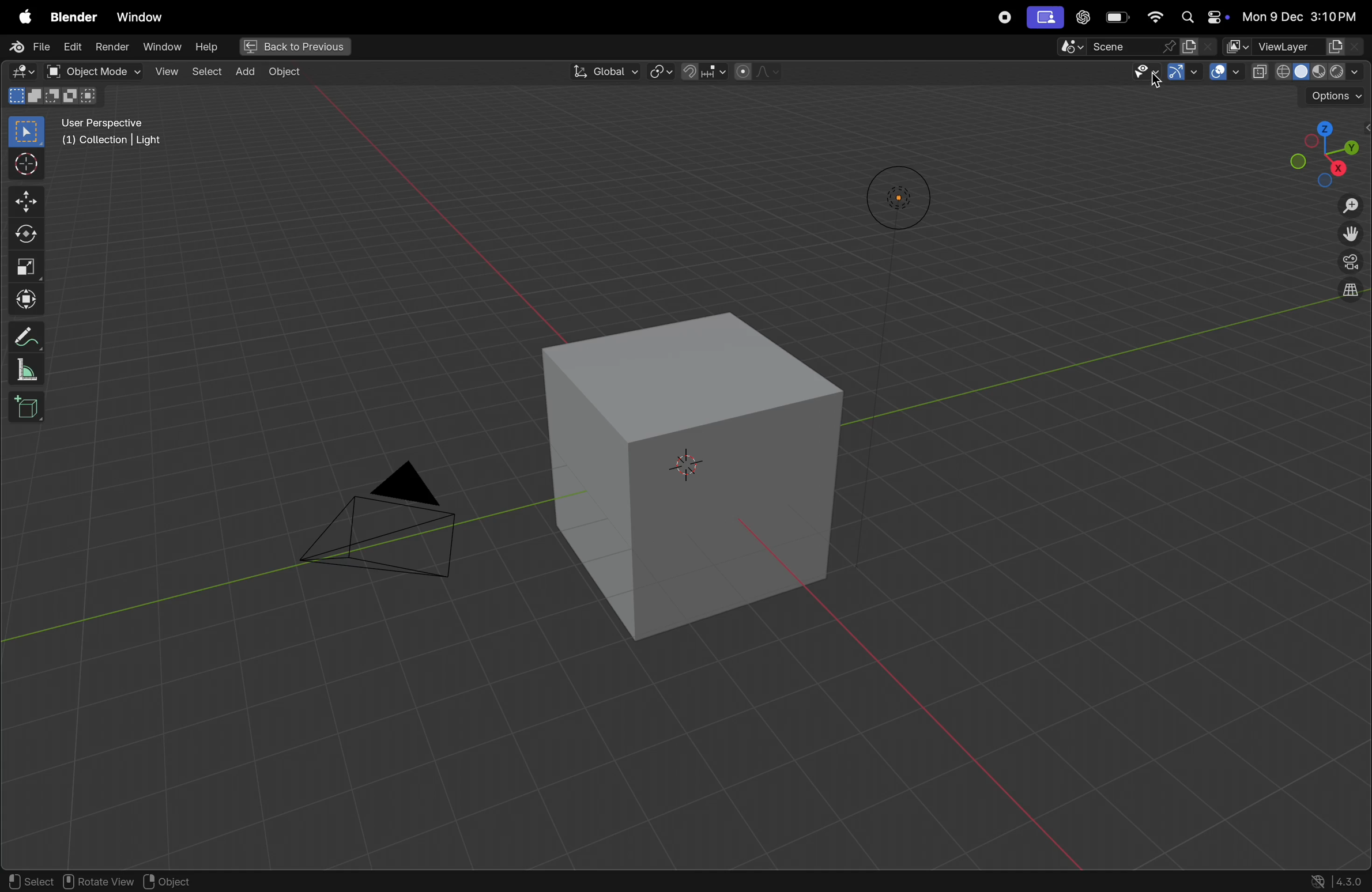 This screenshot has width=1372, height=892. What do you see at coordinates (1351, 207) in the screenshot?
I see `zoomin out` at bounding box center [1351, 207].